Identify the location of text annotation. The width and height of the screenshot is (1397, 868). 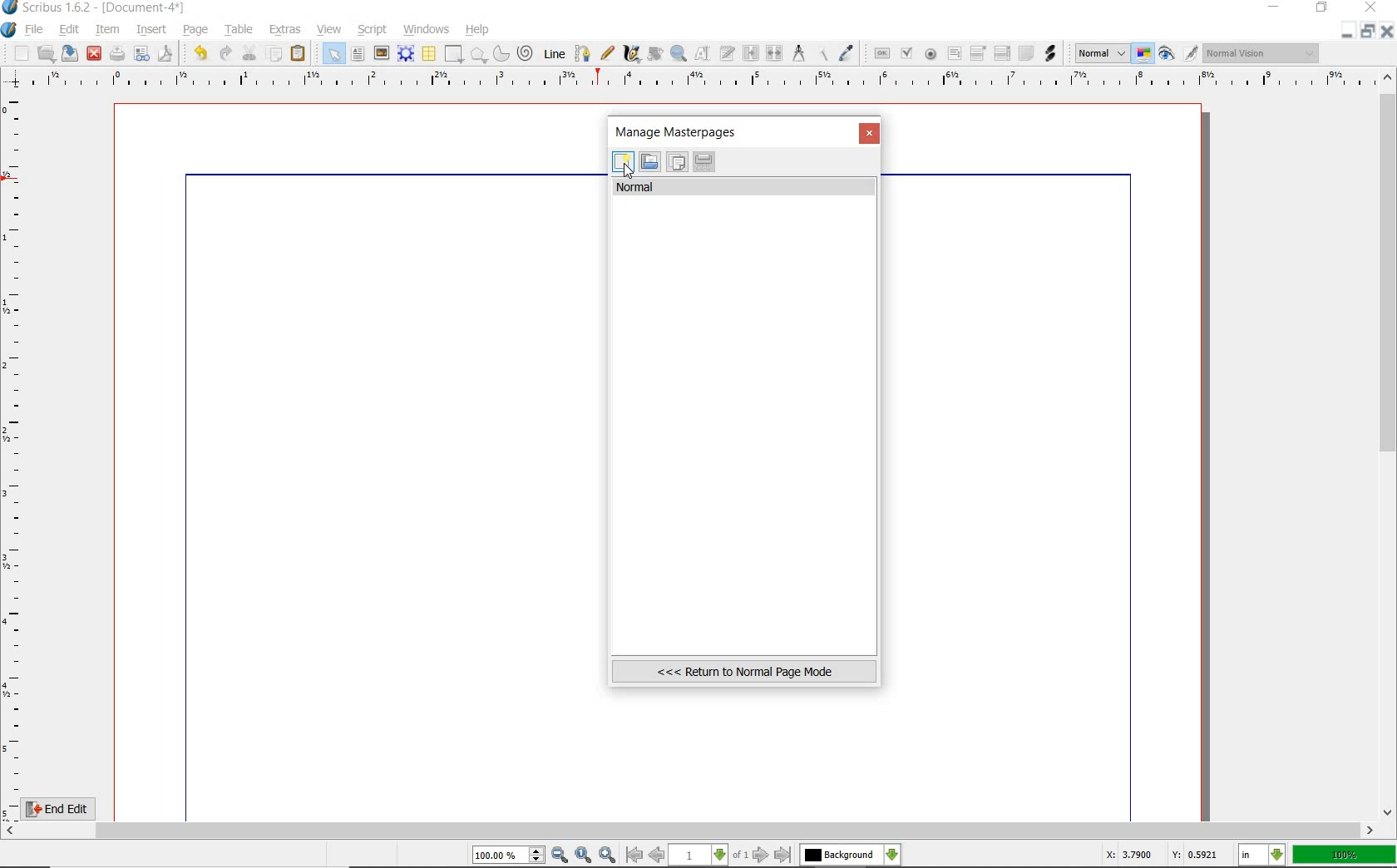
(1025, 54).